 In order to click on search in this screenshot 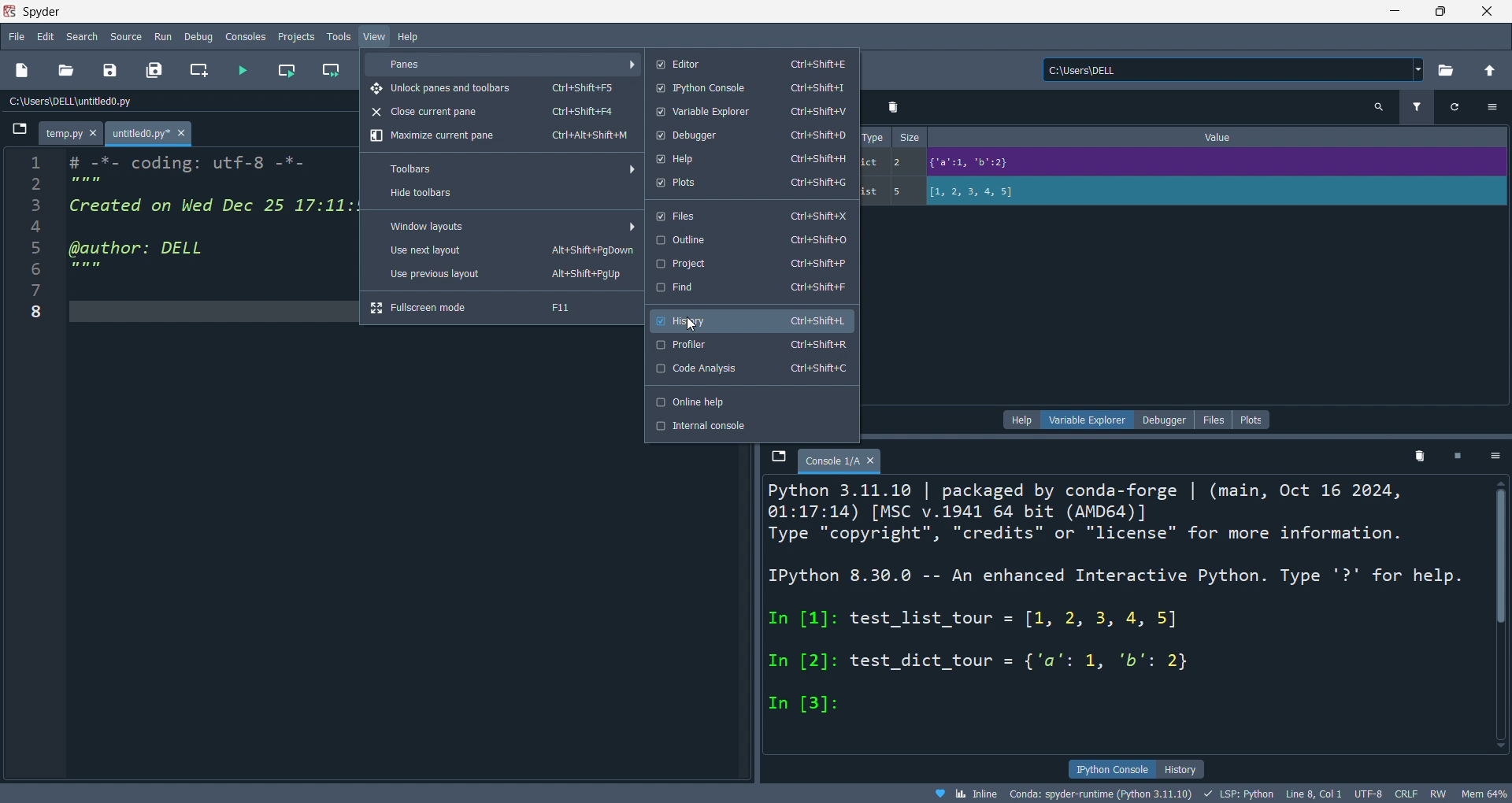, I will do `click(83, 36)`.